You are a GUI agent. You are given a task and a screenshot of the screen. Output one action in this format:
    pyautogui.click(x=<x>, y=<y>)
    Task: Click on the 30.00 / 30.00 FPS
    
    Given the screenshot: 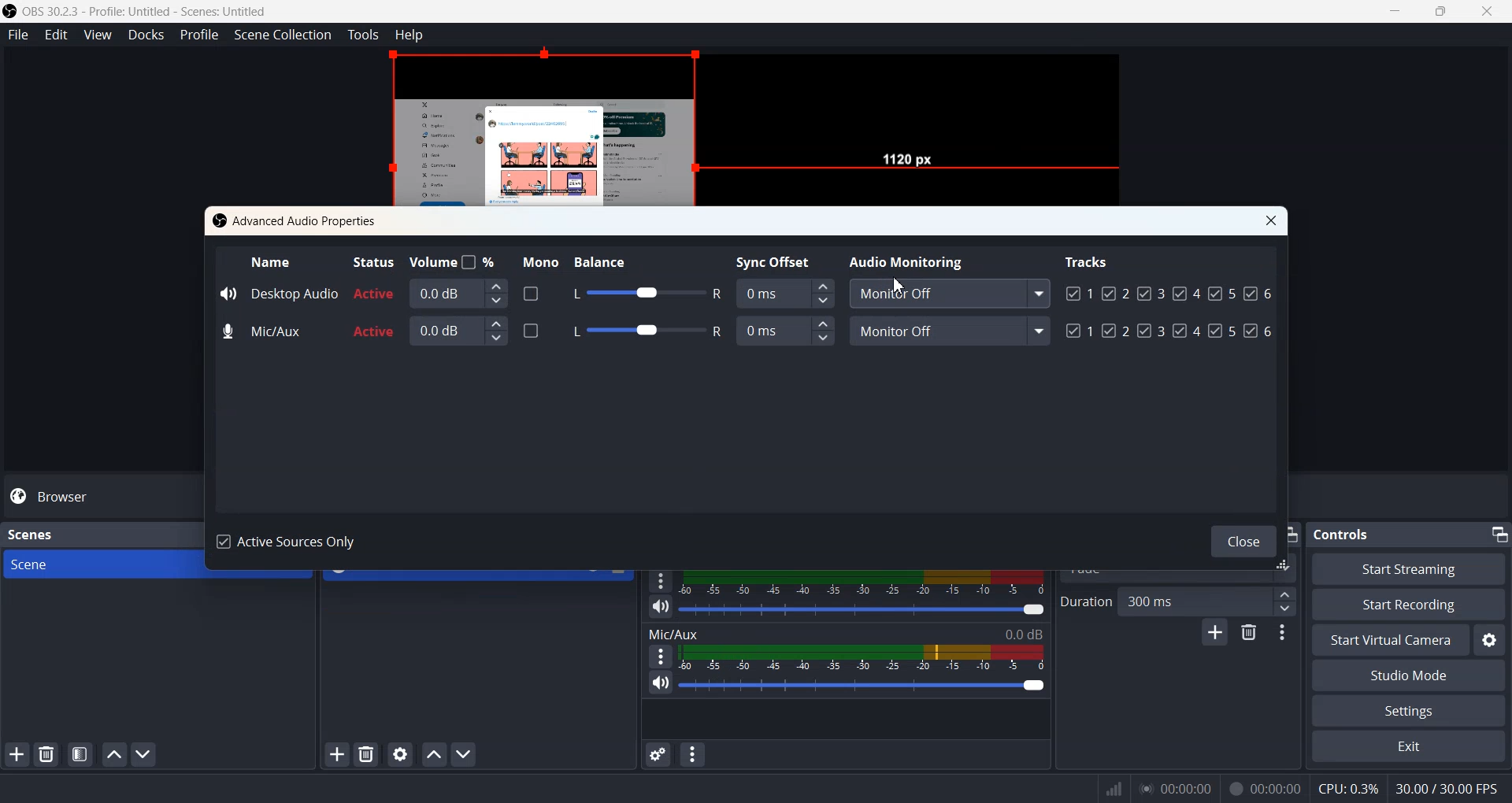 What is the action you would take?
    pyautogui.click(x=1451, y=789)
    